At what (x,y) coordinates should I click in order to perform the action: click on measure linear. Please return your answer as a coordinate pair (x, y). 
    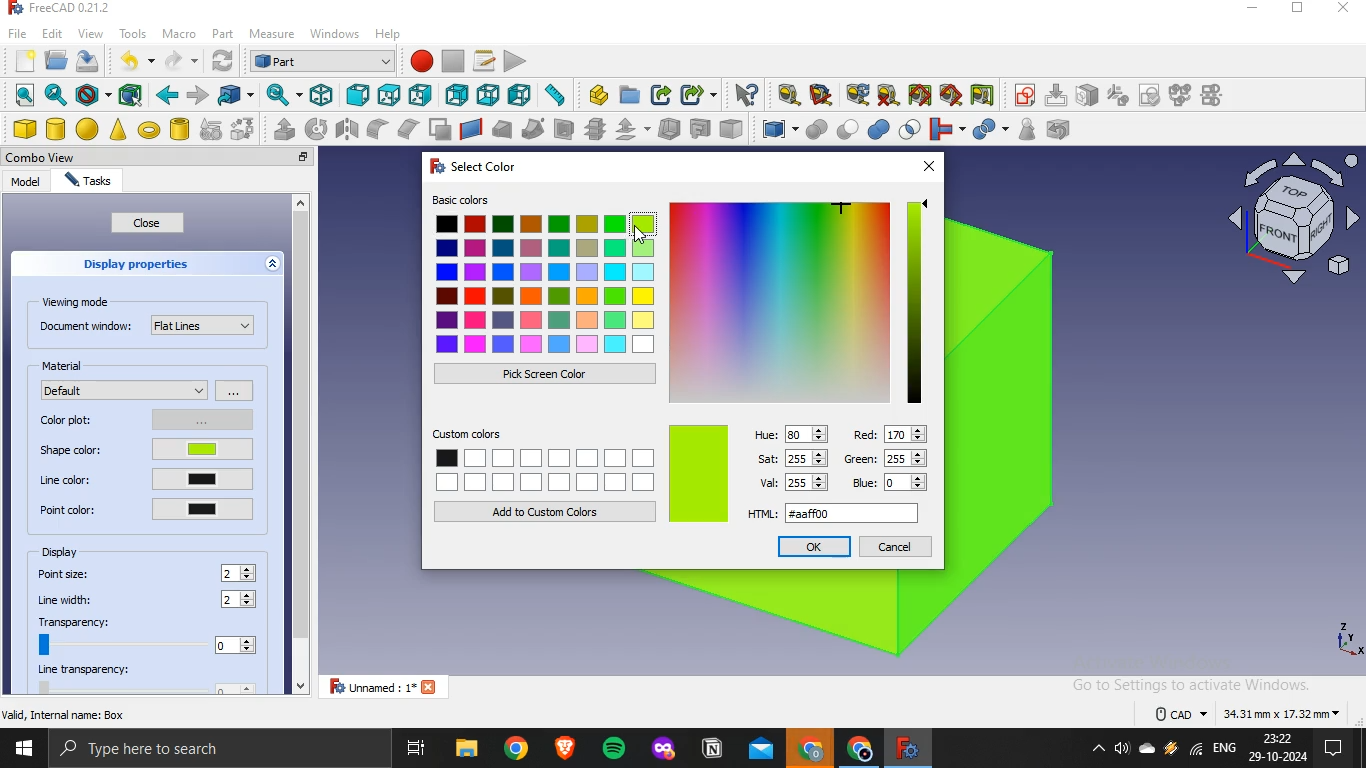
    Looking at the image, I should click on (789, 96).